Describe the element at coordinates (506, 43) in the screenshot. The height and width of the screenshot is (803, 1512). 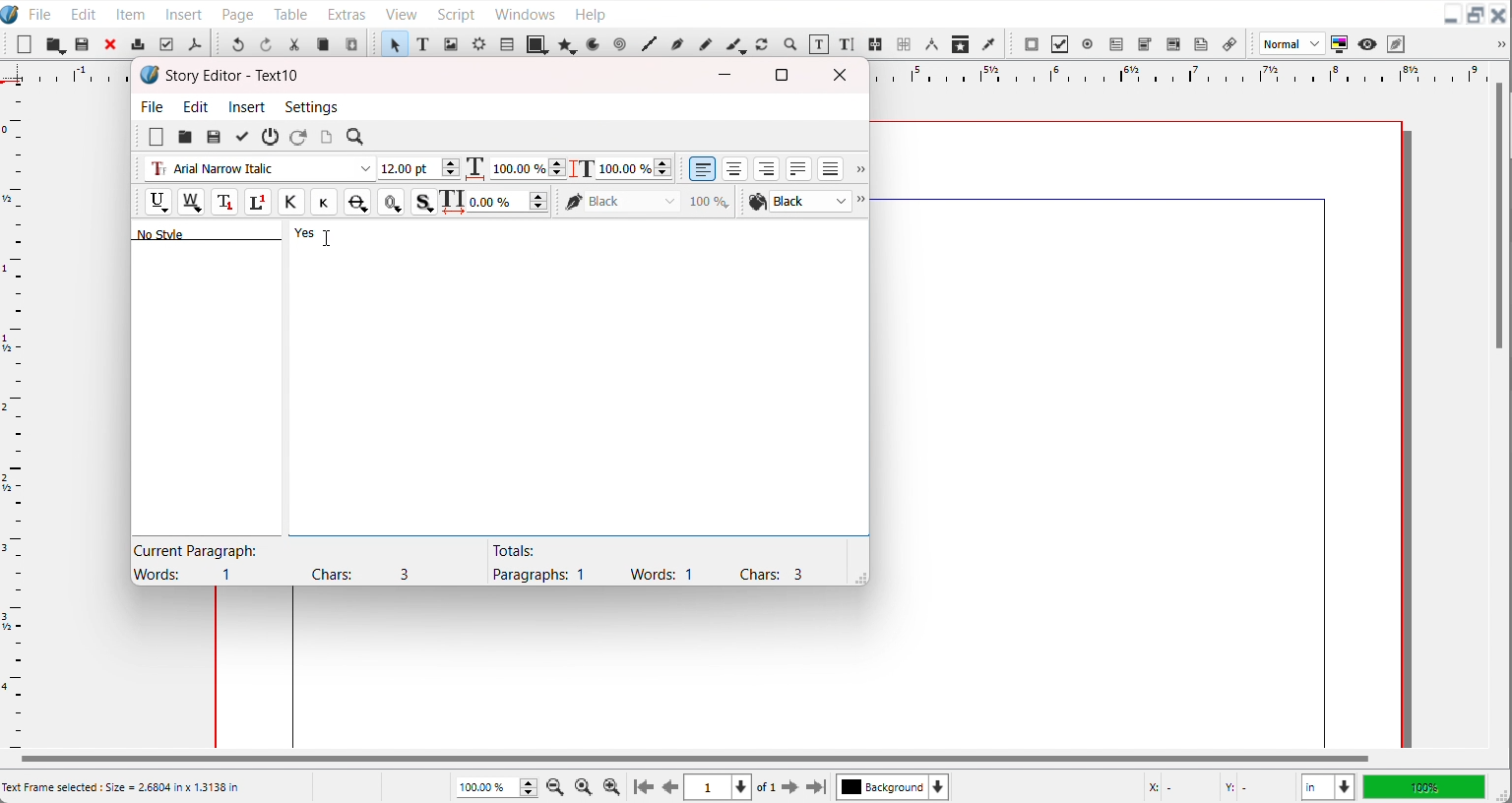
I see `Table` at that location.